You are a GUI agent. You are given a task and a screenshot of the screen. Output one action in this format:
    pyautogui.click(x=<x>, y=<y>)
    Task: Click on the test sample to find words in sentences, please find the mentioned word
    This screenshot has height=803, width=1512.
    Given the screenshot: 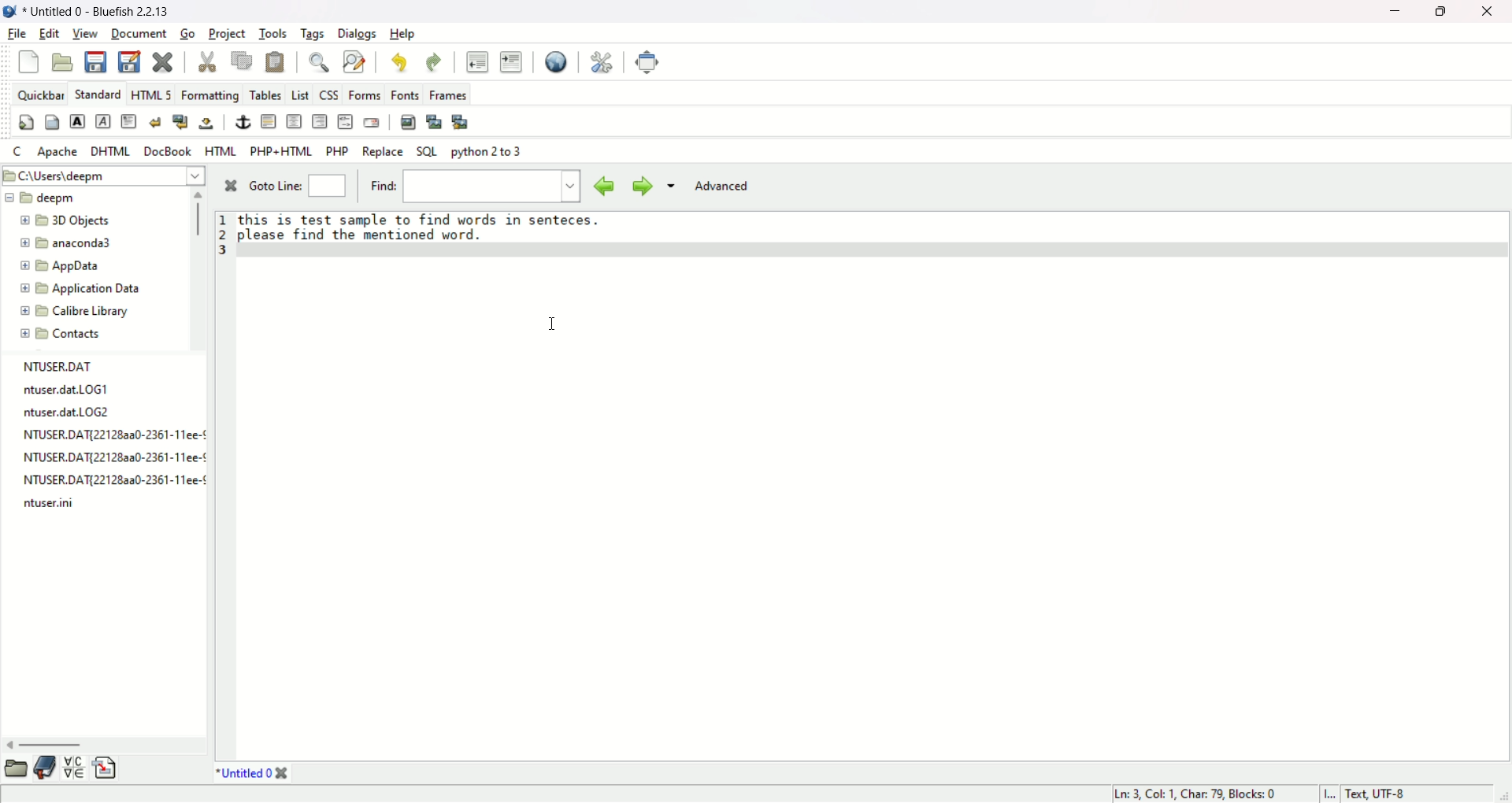 What is the action you would take?
    pyautogui.click(x=420, y=228)
    